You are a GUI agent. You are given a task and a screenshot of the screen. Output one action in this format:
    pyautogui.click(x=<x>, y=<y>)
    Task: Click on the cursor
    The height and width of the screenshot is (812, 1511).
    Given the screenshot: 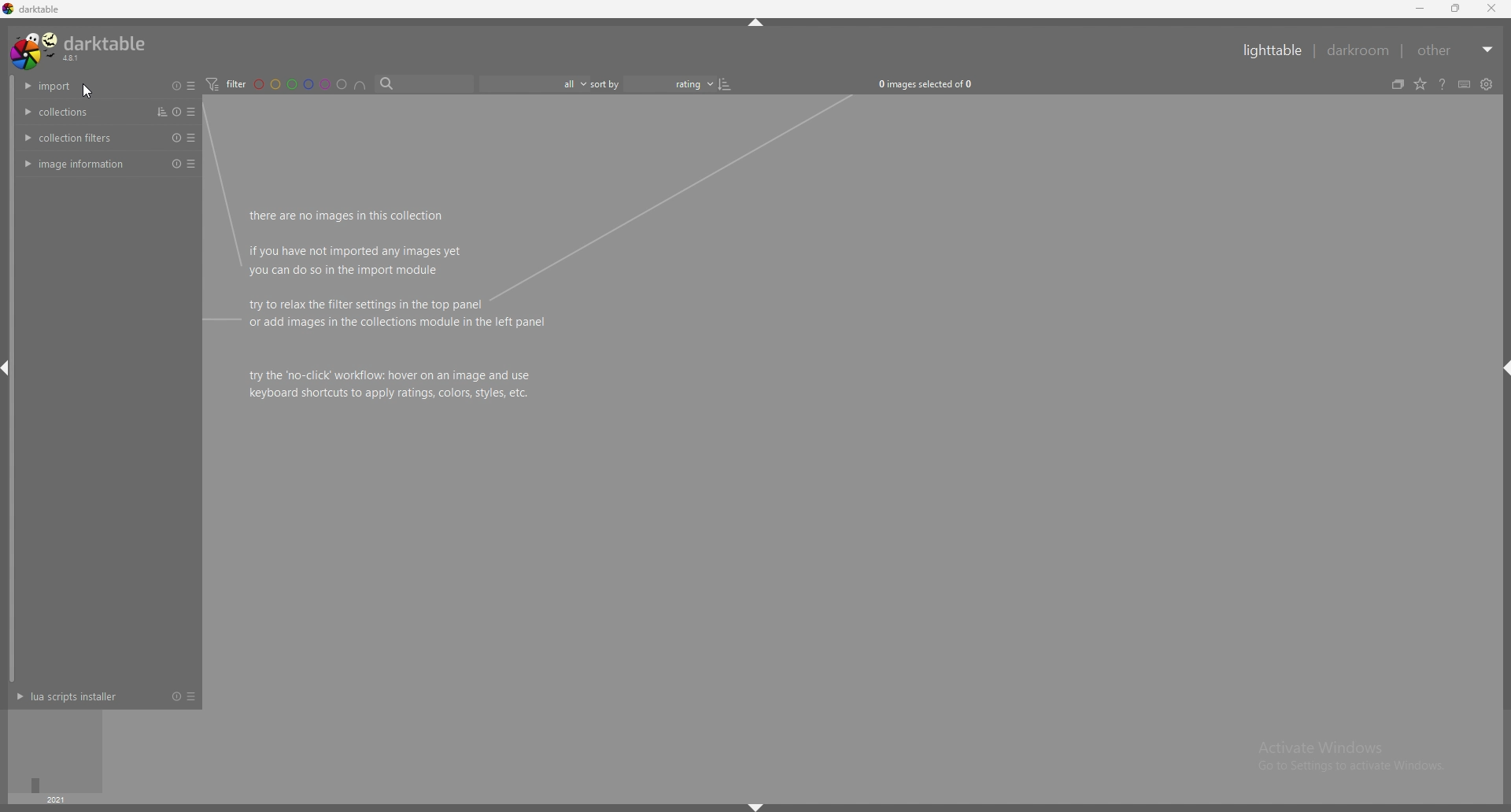 What is the action you would take?
    pyautogui.click(x=85, y=94)
    